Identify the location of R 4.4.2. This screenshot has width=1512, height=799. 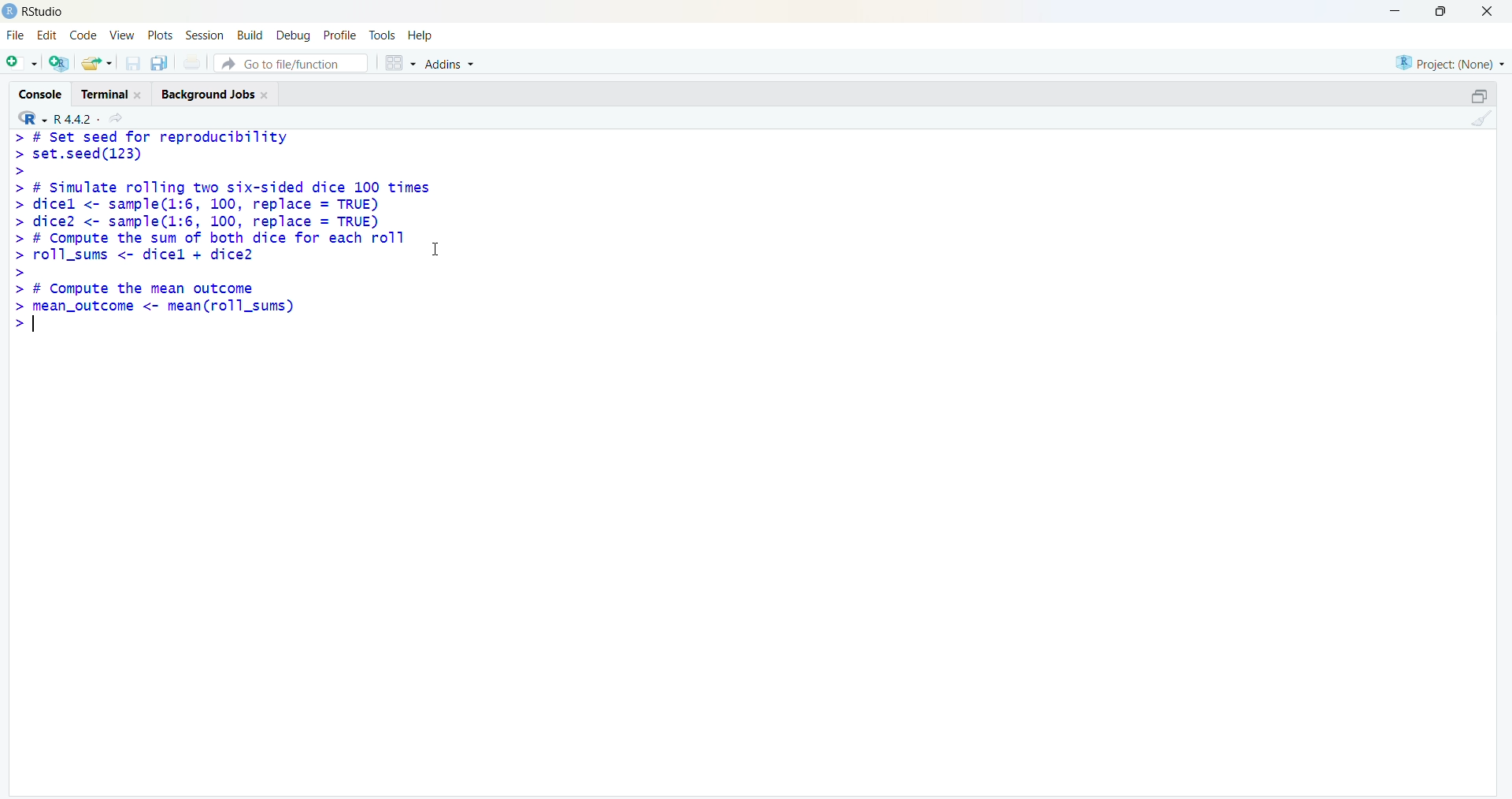
(77, 120).